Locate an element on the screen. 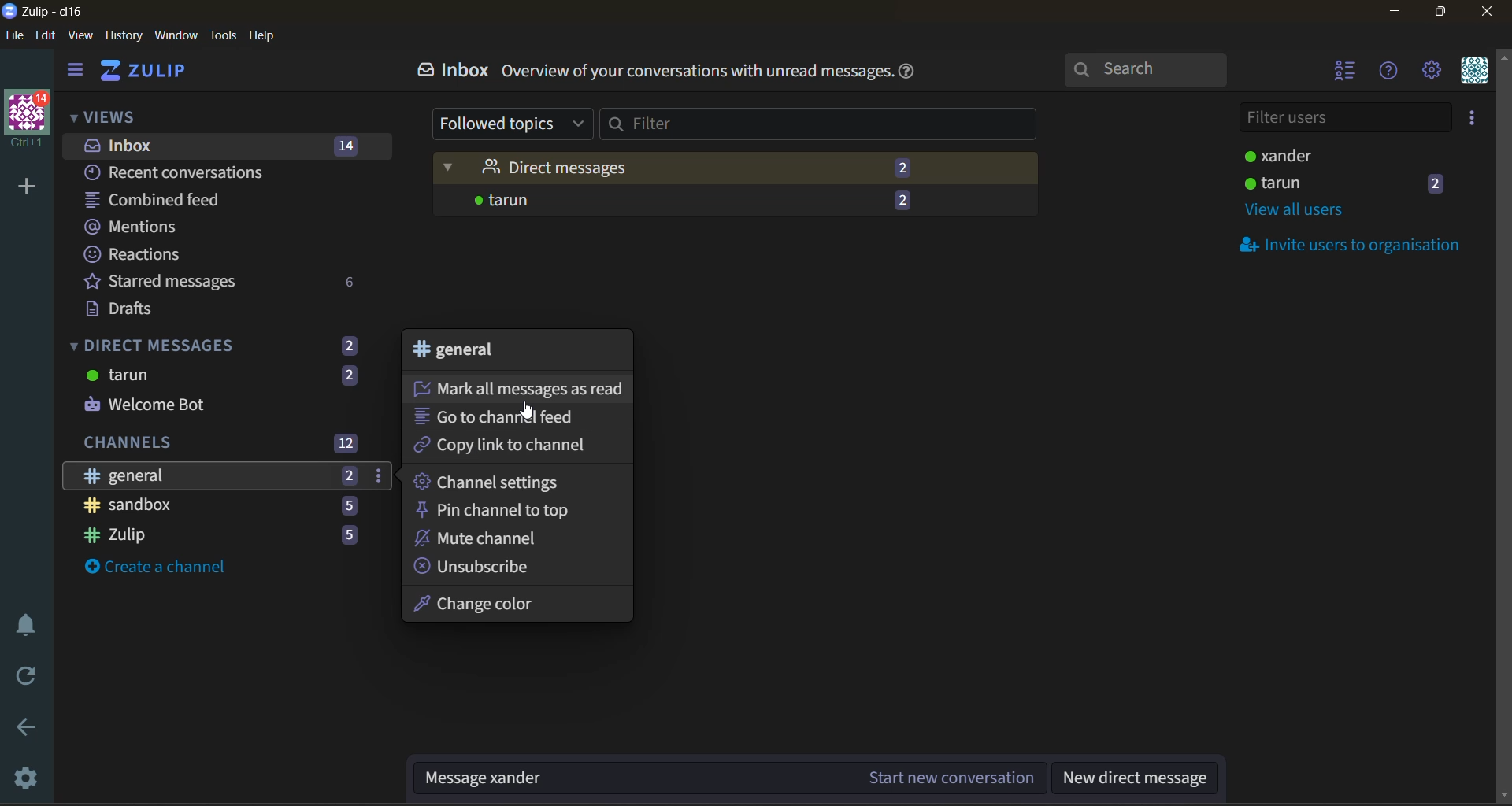 This screenshot has height=806, width=1512. settings is located at coordinates (1432, 68).